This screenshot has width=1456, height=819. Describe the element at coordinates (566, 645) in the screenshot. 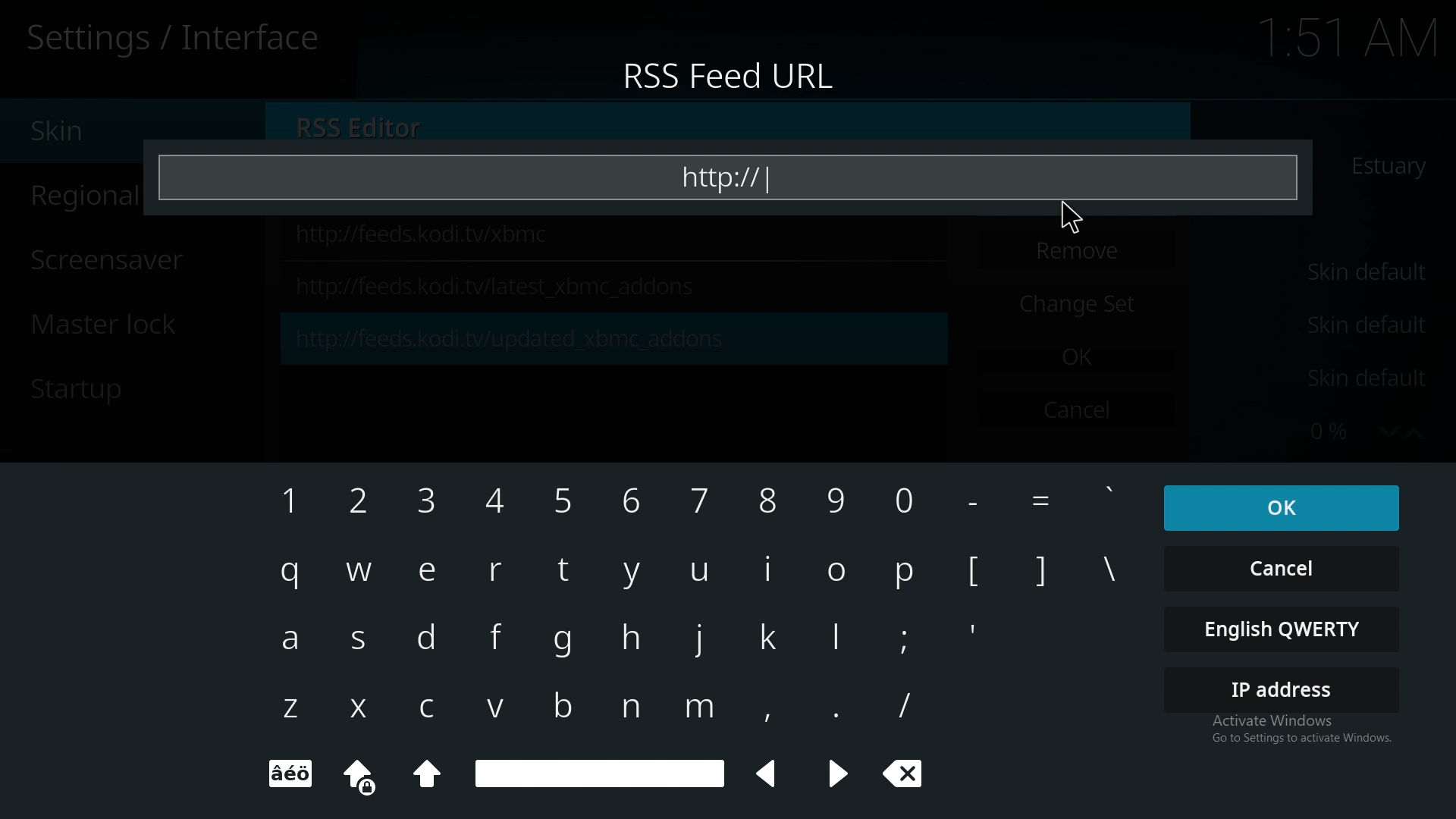

I see `keyboard Input` at that location.